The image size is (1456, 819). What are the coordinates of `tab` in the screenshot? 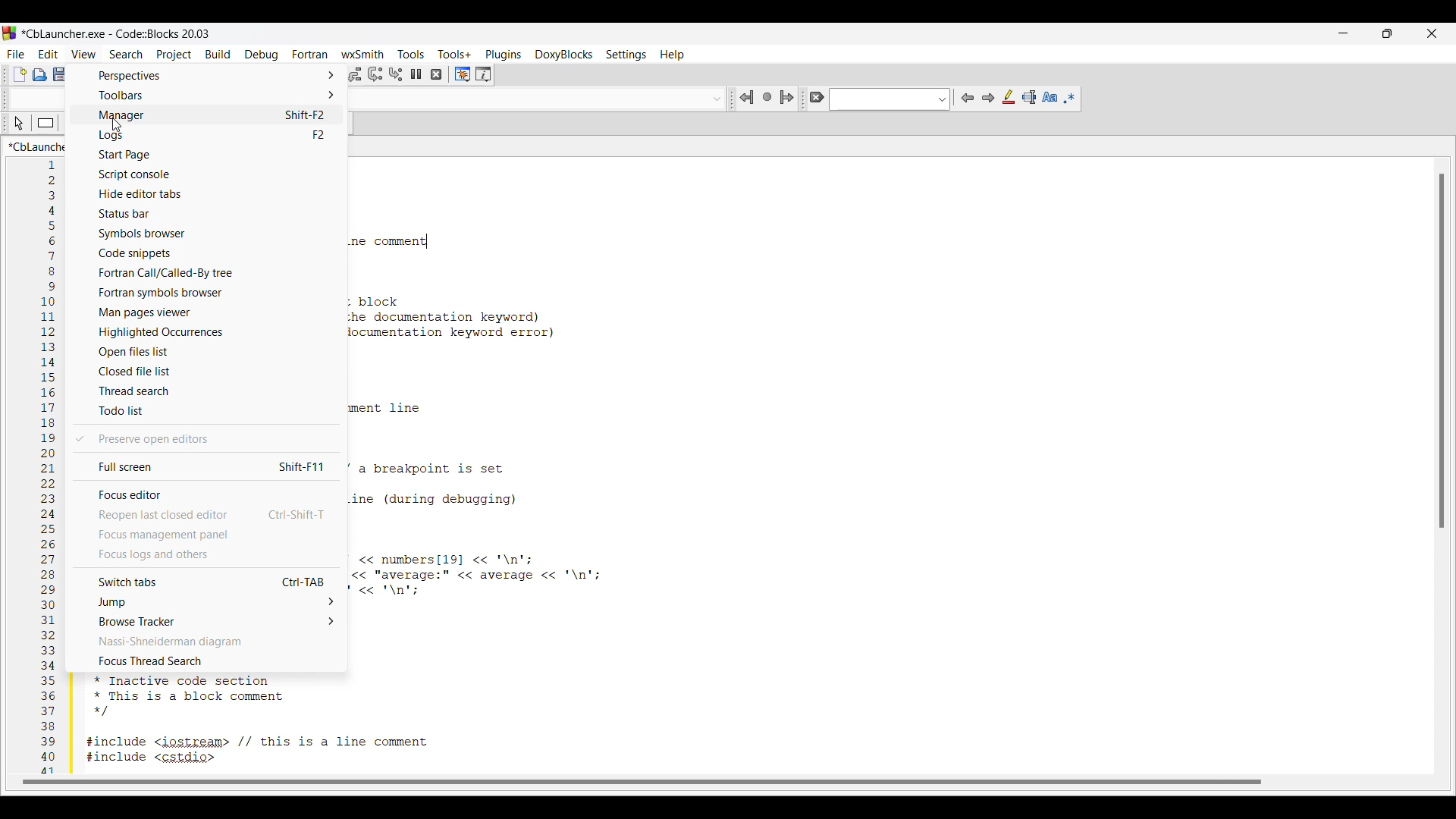 It's located at (1439, 351).